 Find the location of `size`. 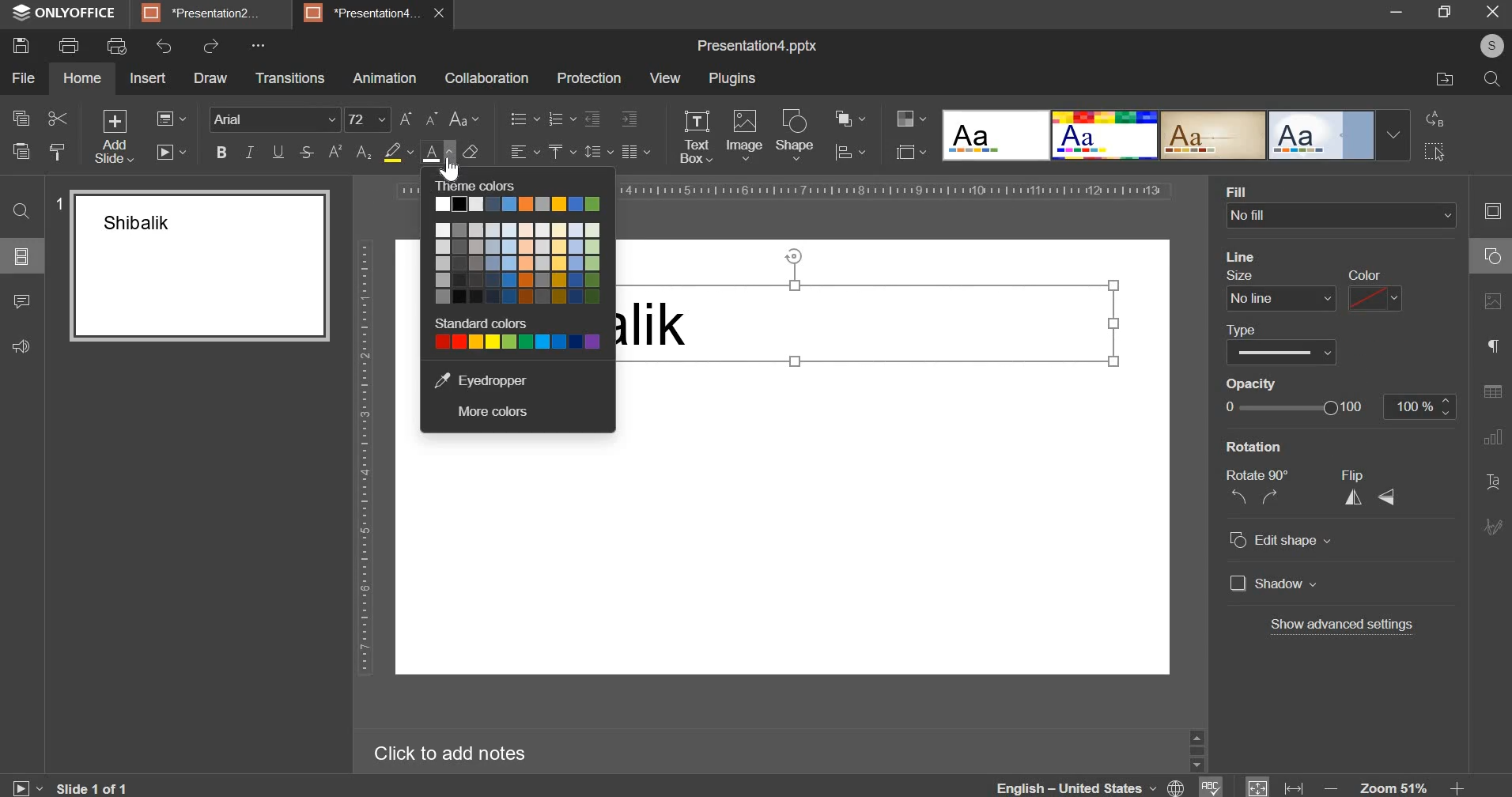

size is located at coordinates (1277, 291).